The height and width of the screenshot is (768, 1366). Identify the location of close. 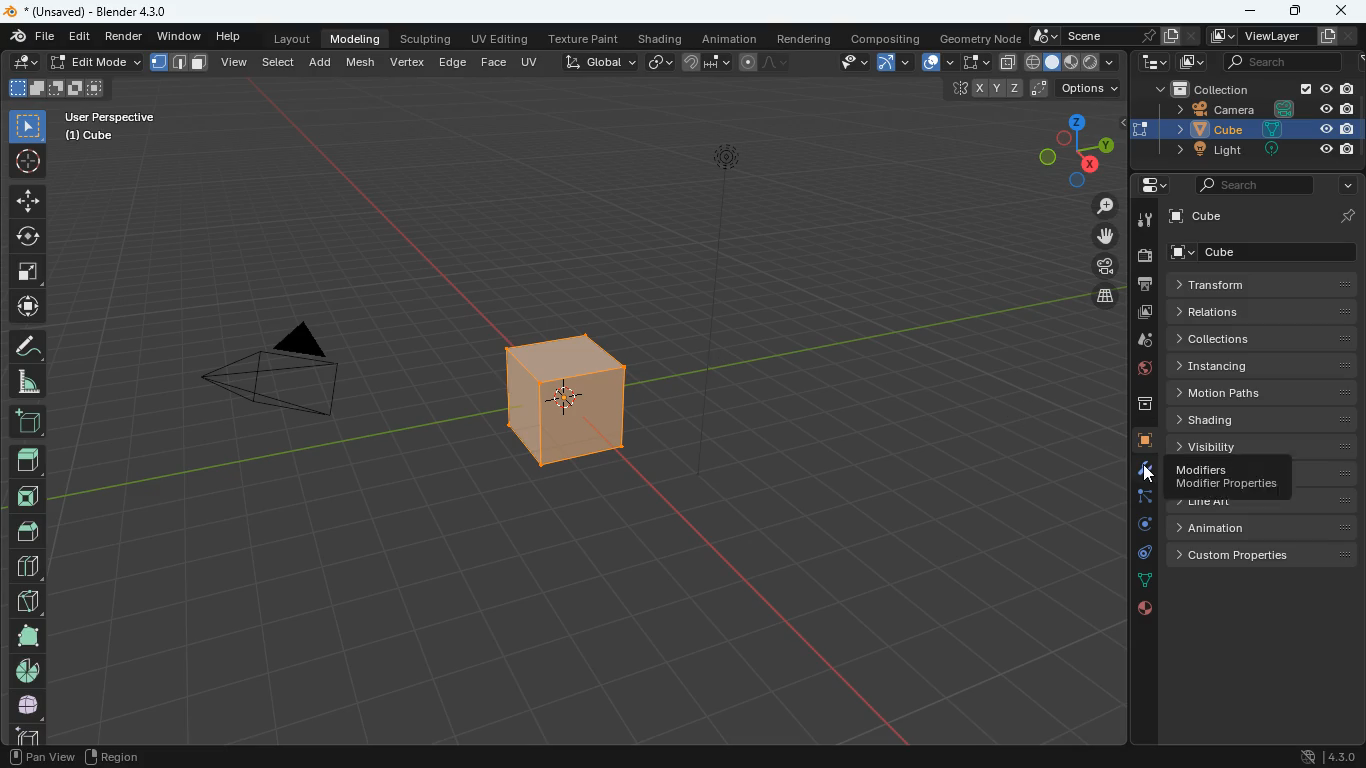
(1347, 11).